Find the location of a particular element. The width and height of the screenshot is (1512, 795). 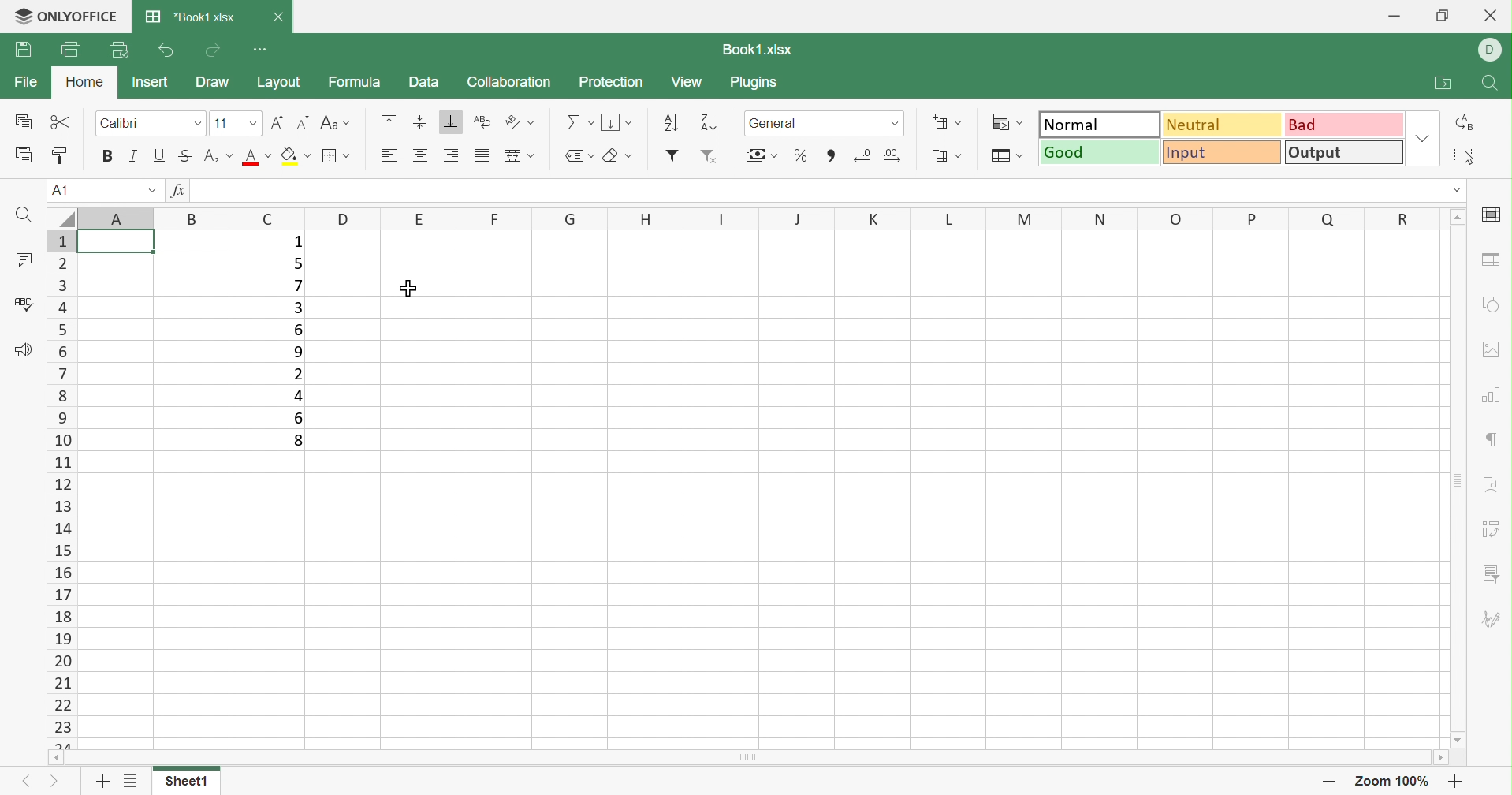

Wrap Text is located at coordinates (482, 122).